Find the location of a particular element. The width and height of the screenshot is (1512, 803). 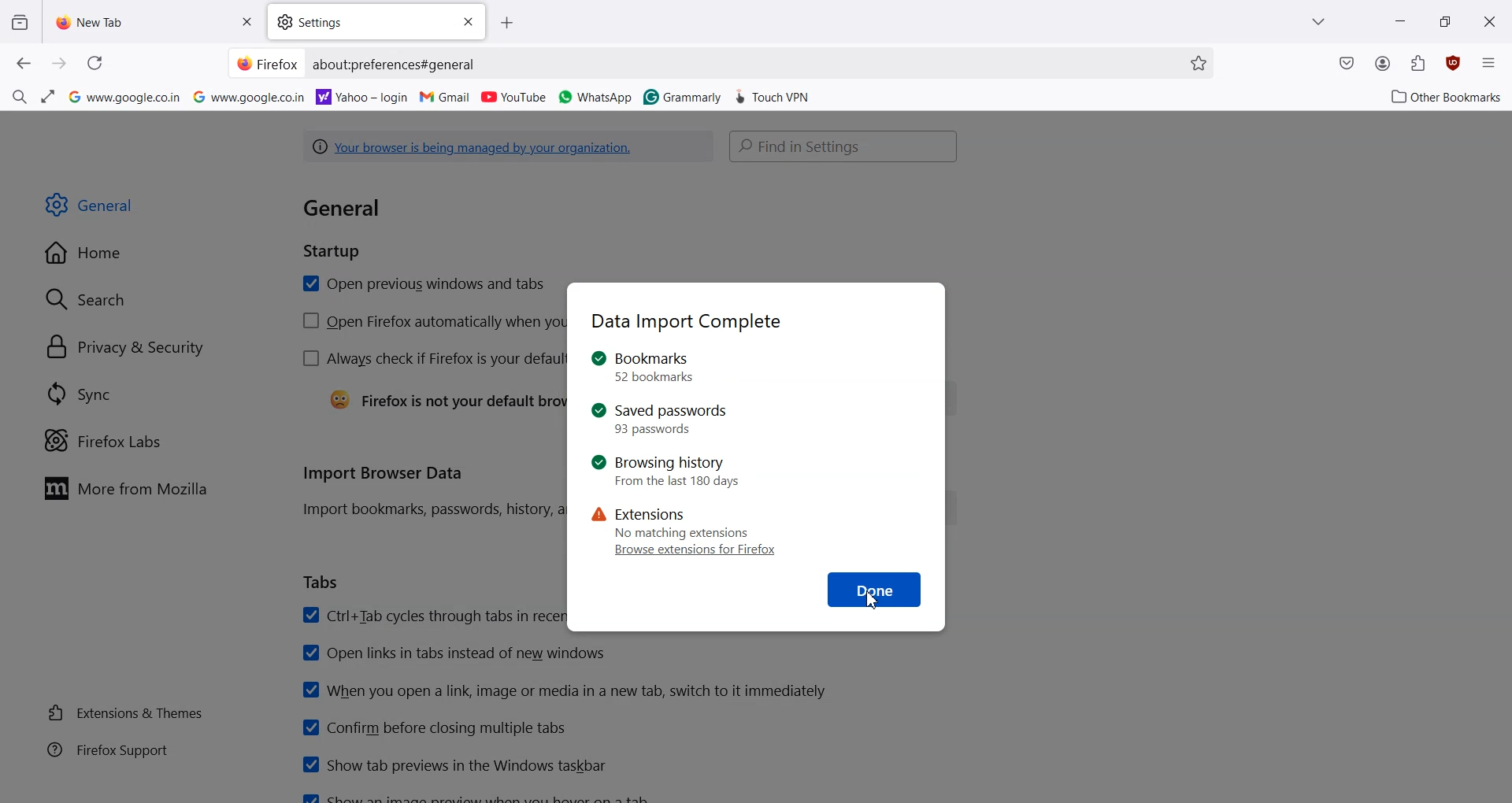

Extensions is located at coordinates (674, 522).